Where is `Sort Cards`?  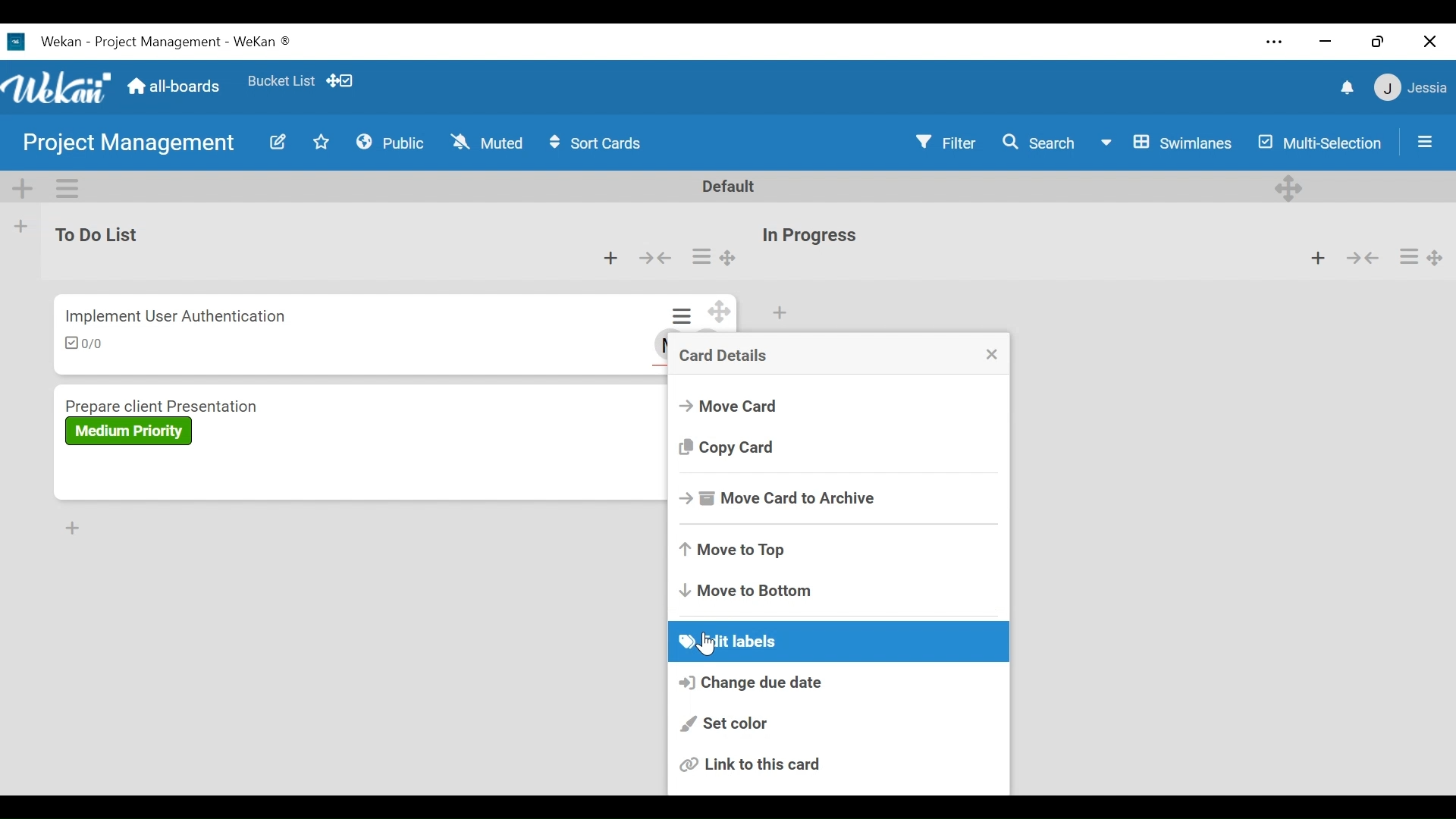
Sort Cards is located at coordinates (601, 143).